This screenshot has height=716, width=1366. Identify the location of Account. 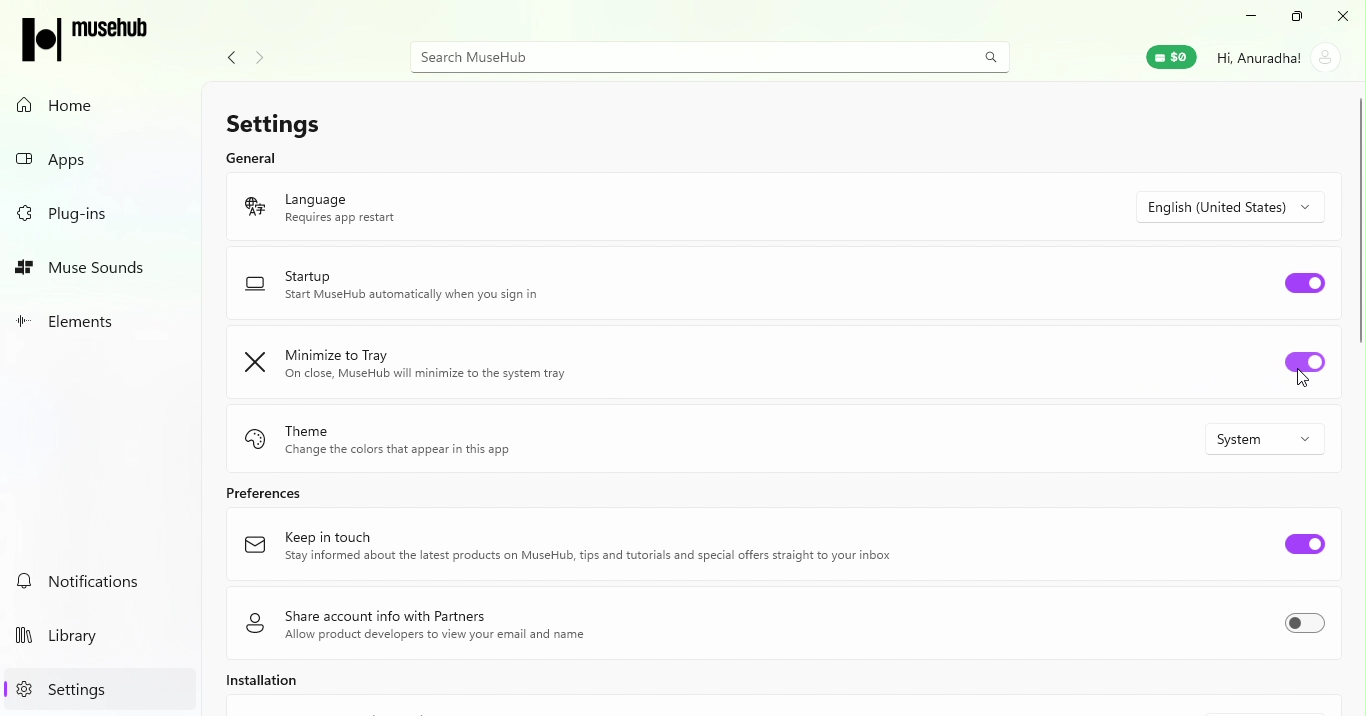
(1274, 60).